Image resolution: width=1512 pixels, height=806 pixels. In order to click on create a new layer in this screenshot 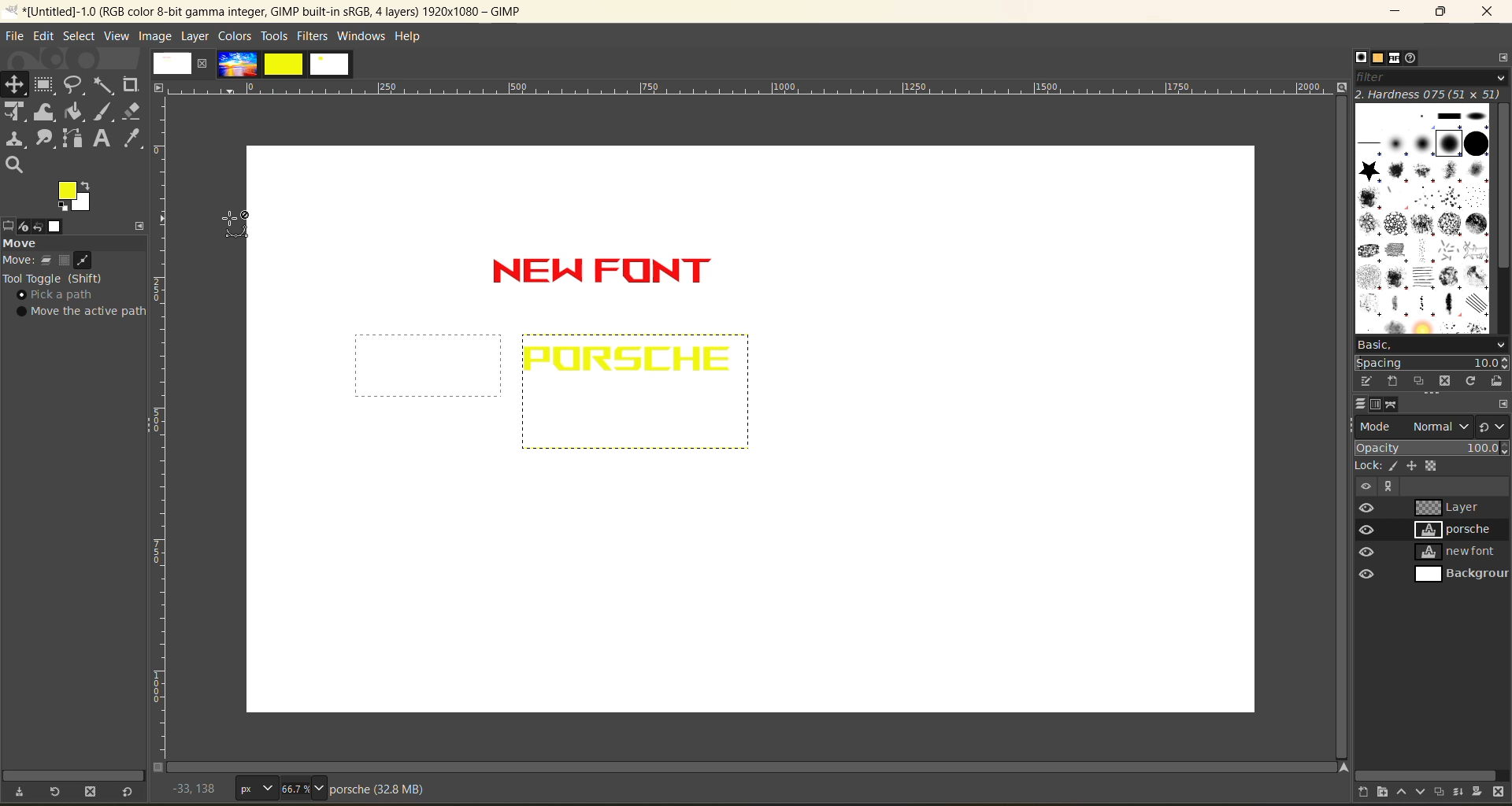, I will do `click(1357, 790)`.